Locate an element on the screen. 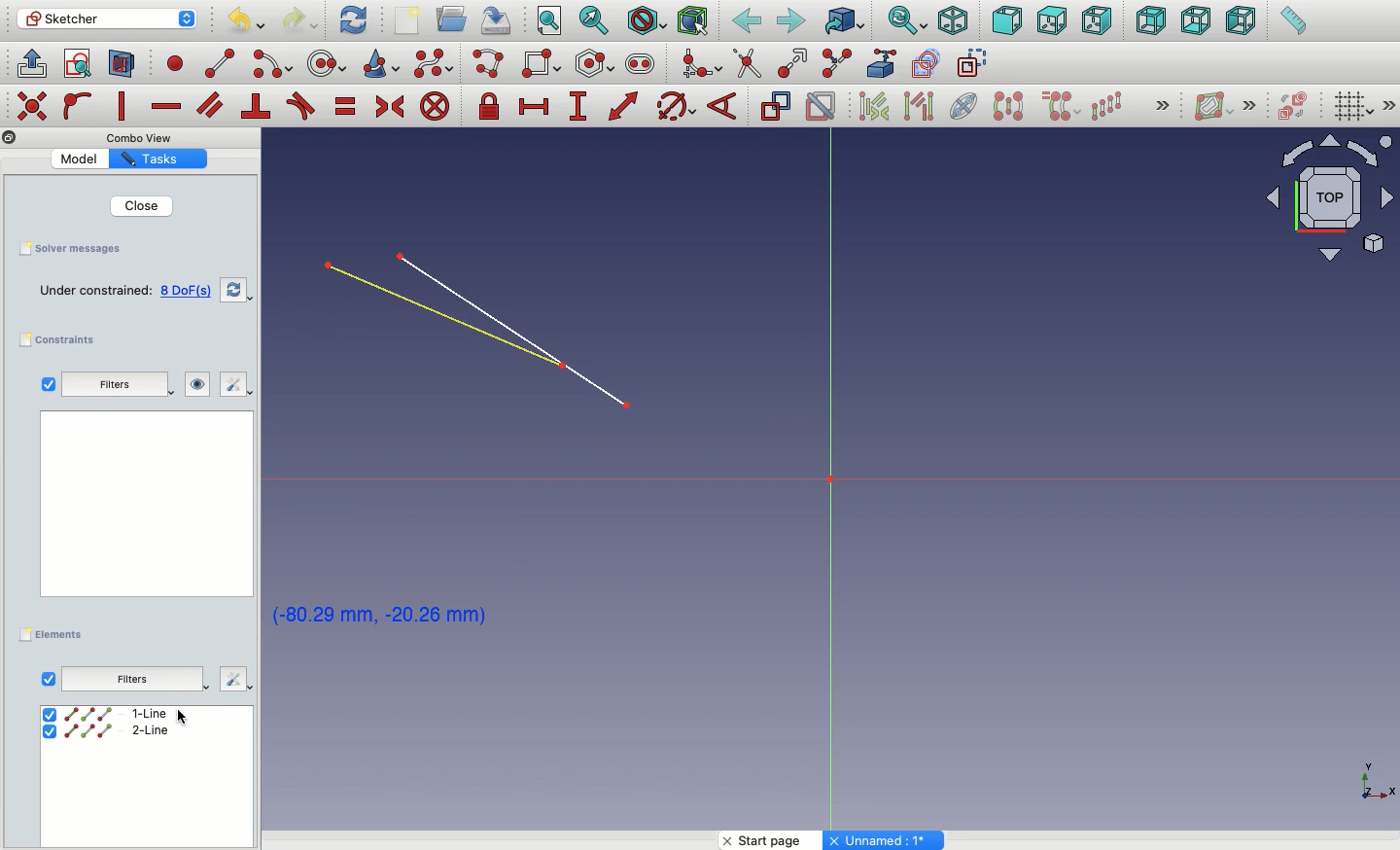  Show/hide B-spline information layer is located at coordinates (1213, 106).